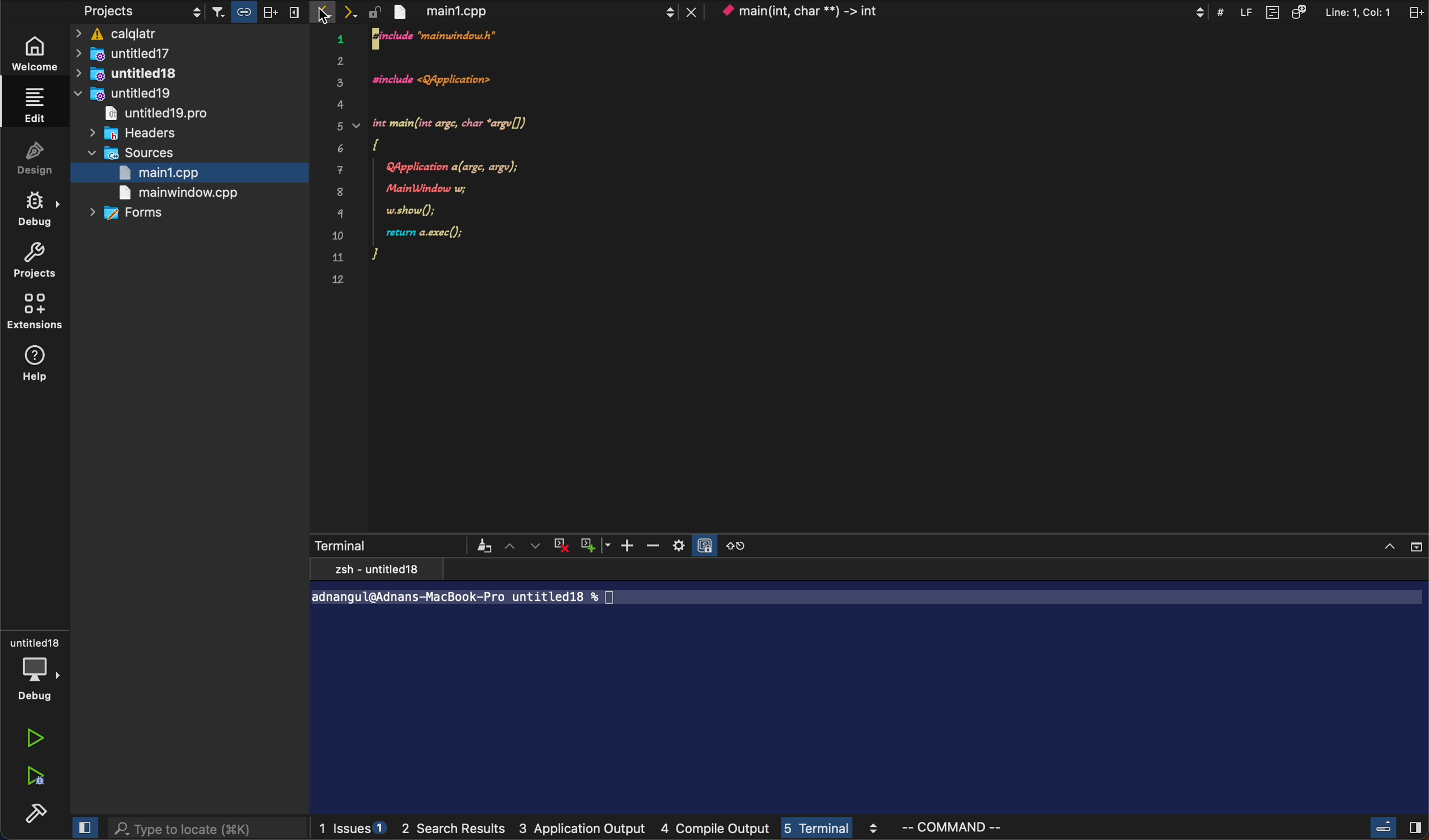 The image size is (1429, 840). Describe the element at coordinates (130, 95) in the screenshot. I see `untitled 19` at that location.